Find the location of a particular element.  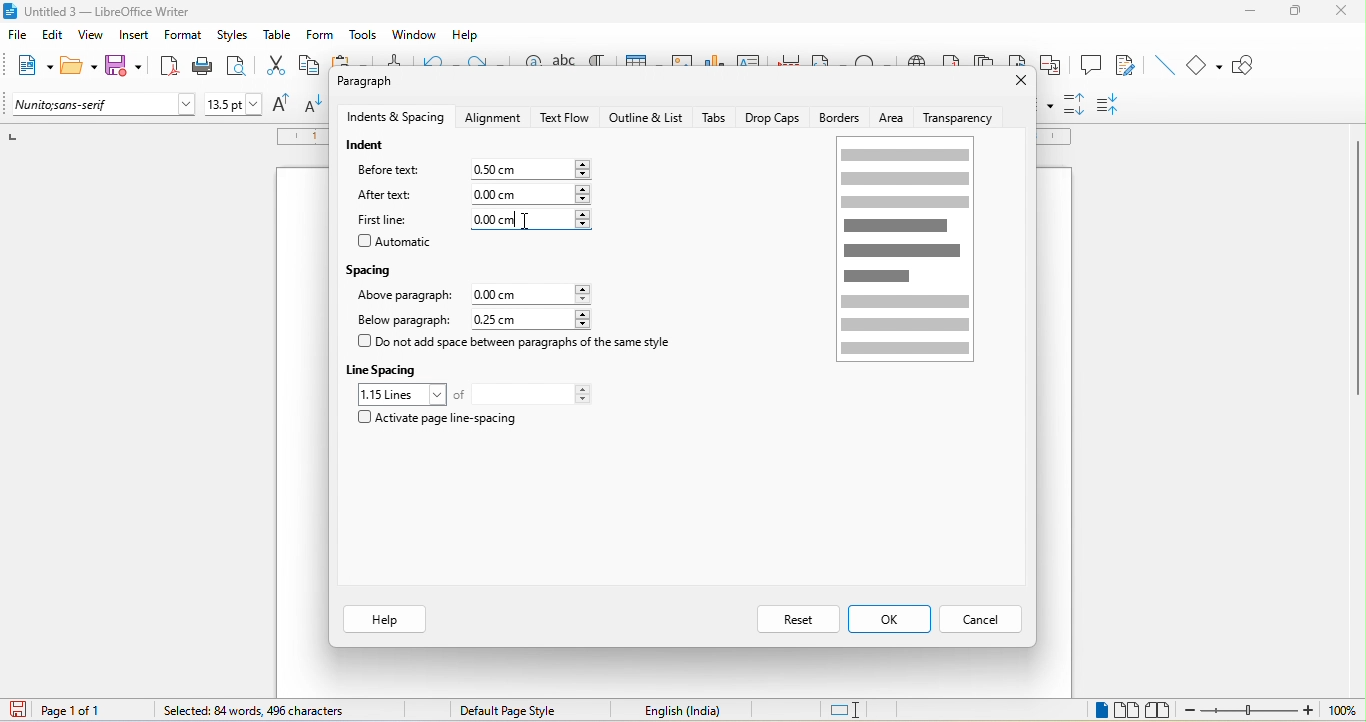

before text is located at coordinates (391, 170).